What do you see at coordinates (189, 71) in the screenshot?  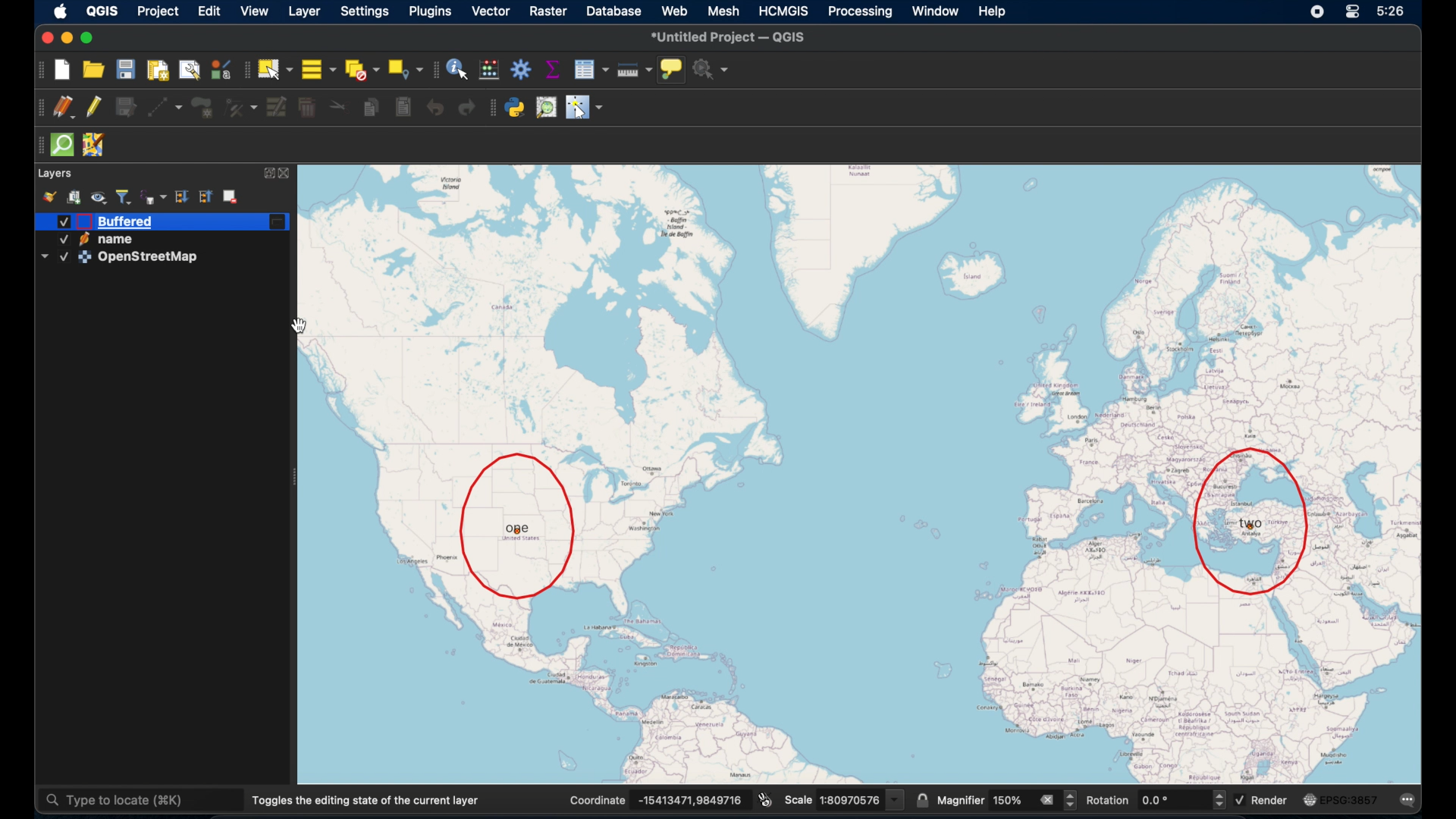 I see `show layout manager` at bounding box center [189, 71].